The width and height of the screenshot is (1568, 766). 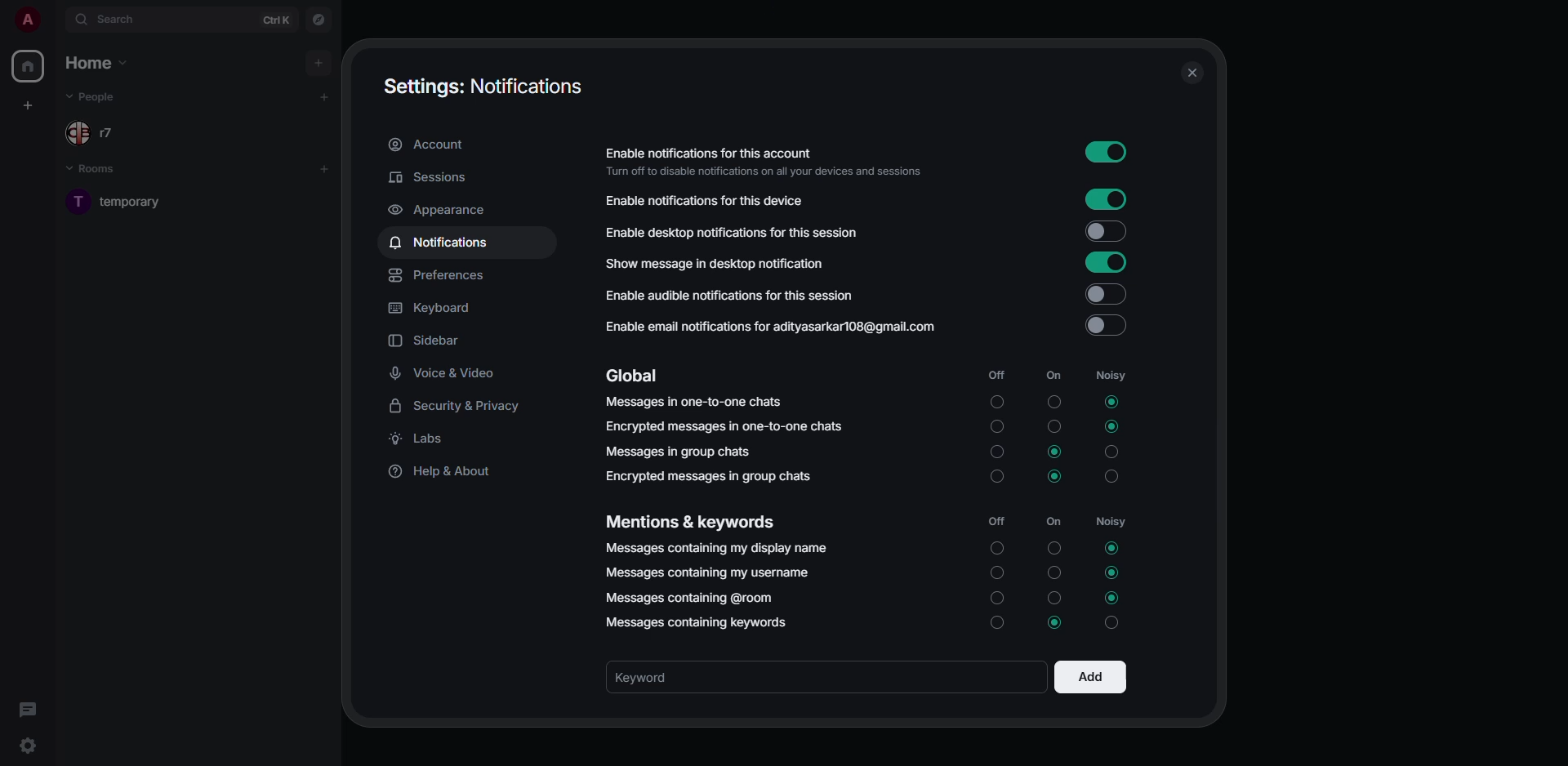 What do you see at coordinates (996, 602) in the screenshot?
I see `turn on` at bounding box center [996, 602].